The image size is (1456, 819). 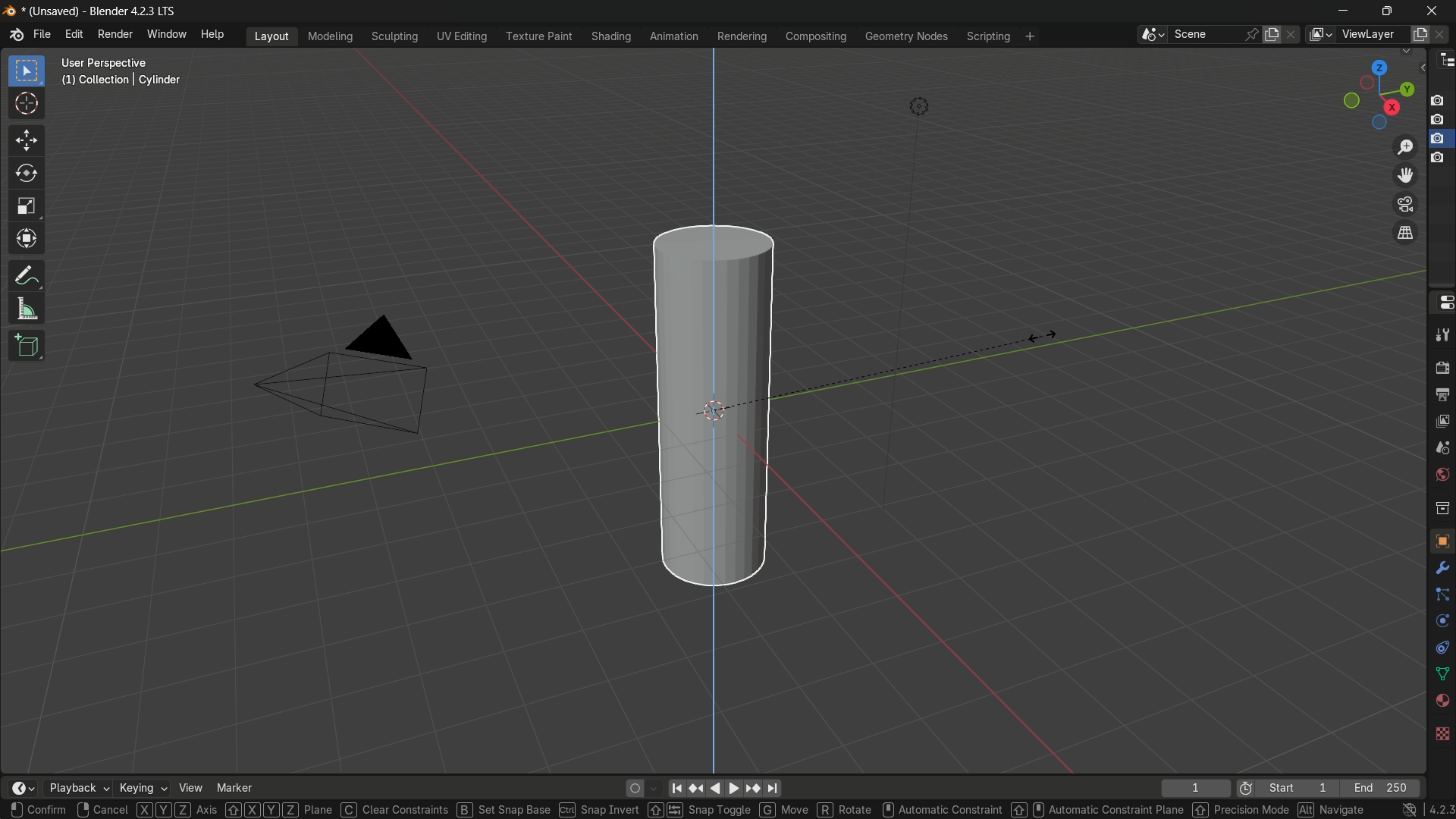 What do you see at coordinates (1206, 35) in the screenshot?
I see `scene` at bounding box center [1206, 35].